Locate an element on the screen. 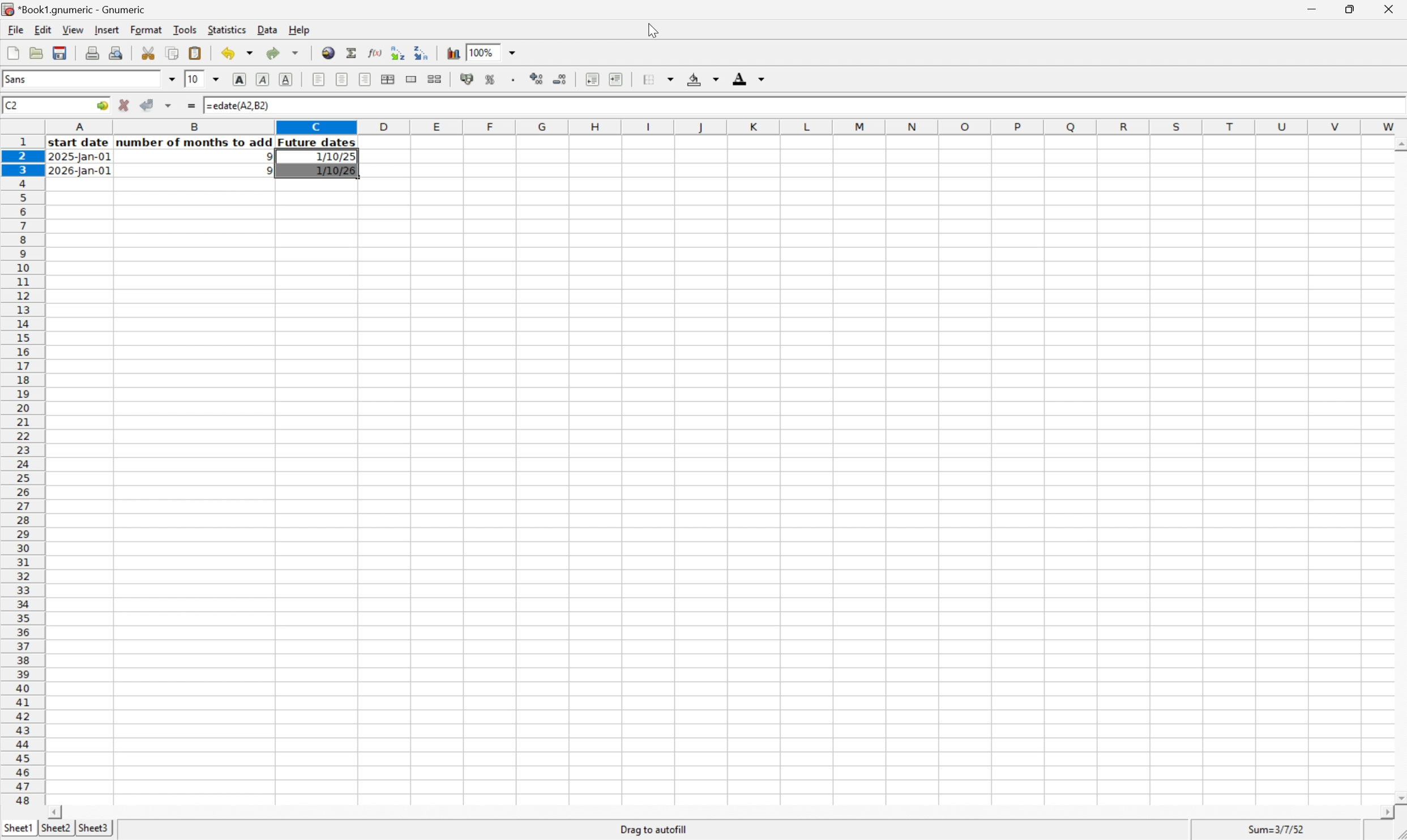 The width and height of the screenshot is (1407, 840). Scroll Right is located at coordinates (1383, 812).